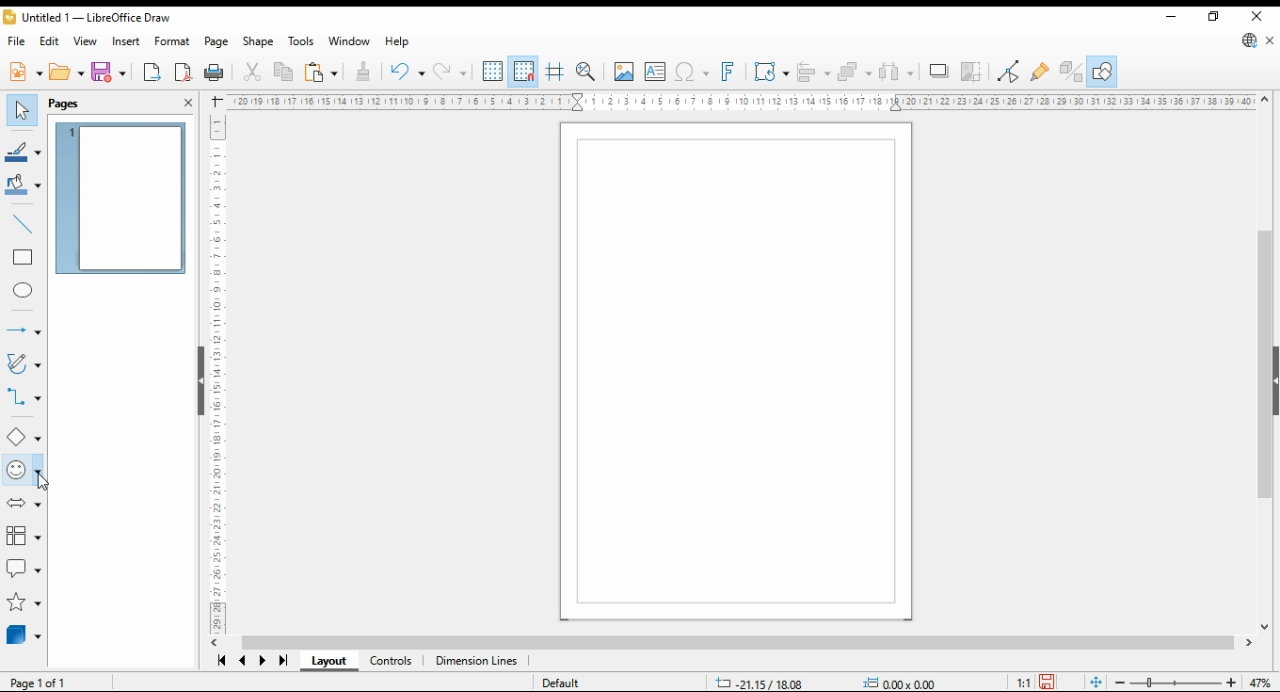  What do you see at coordinates (556, 72) in the screenshot?
I see `helplines while moving` at bounding box center [556, 72].